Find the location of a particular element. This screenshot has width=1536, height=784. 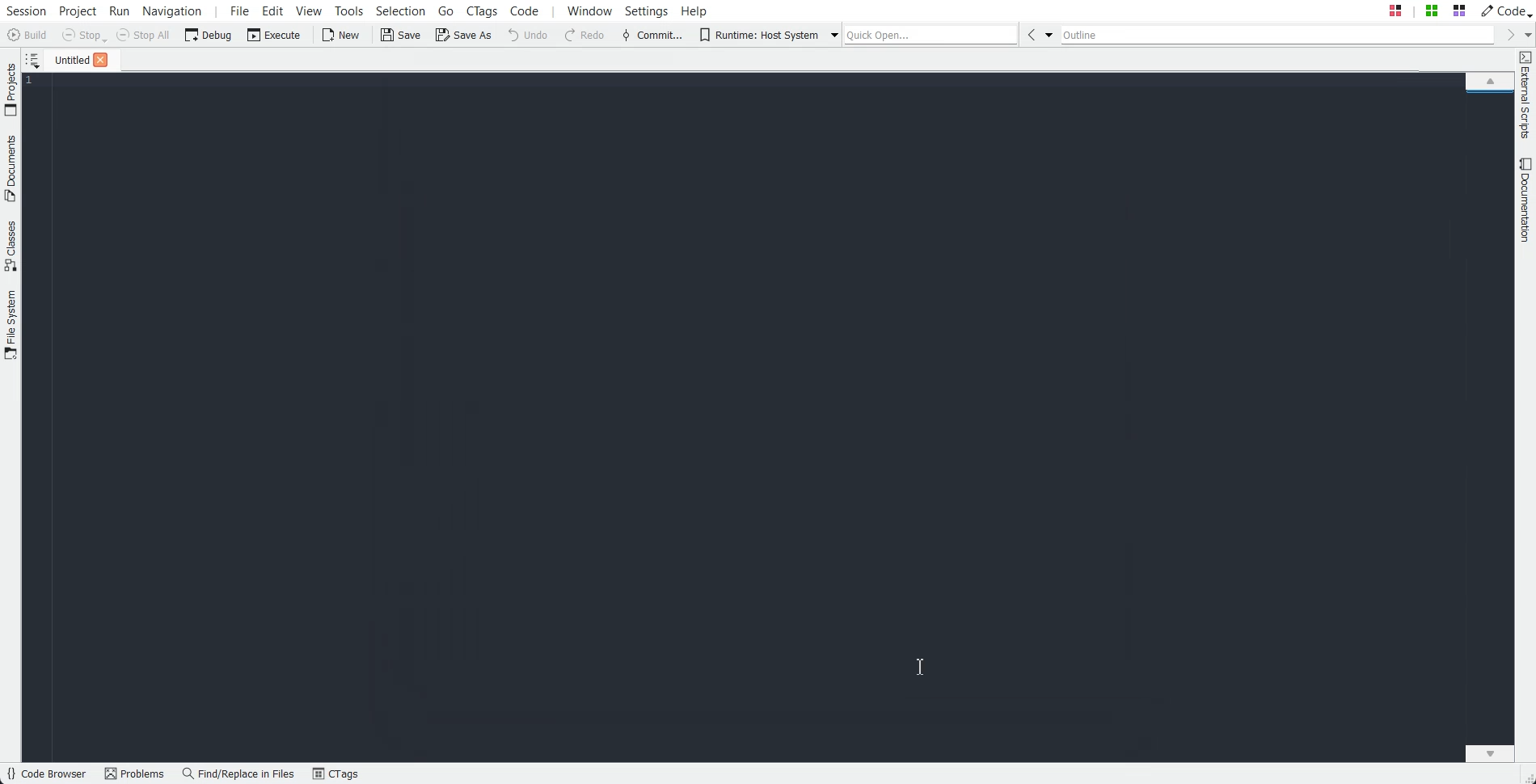

Project is located at coordinates (11, 89).